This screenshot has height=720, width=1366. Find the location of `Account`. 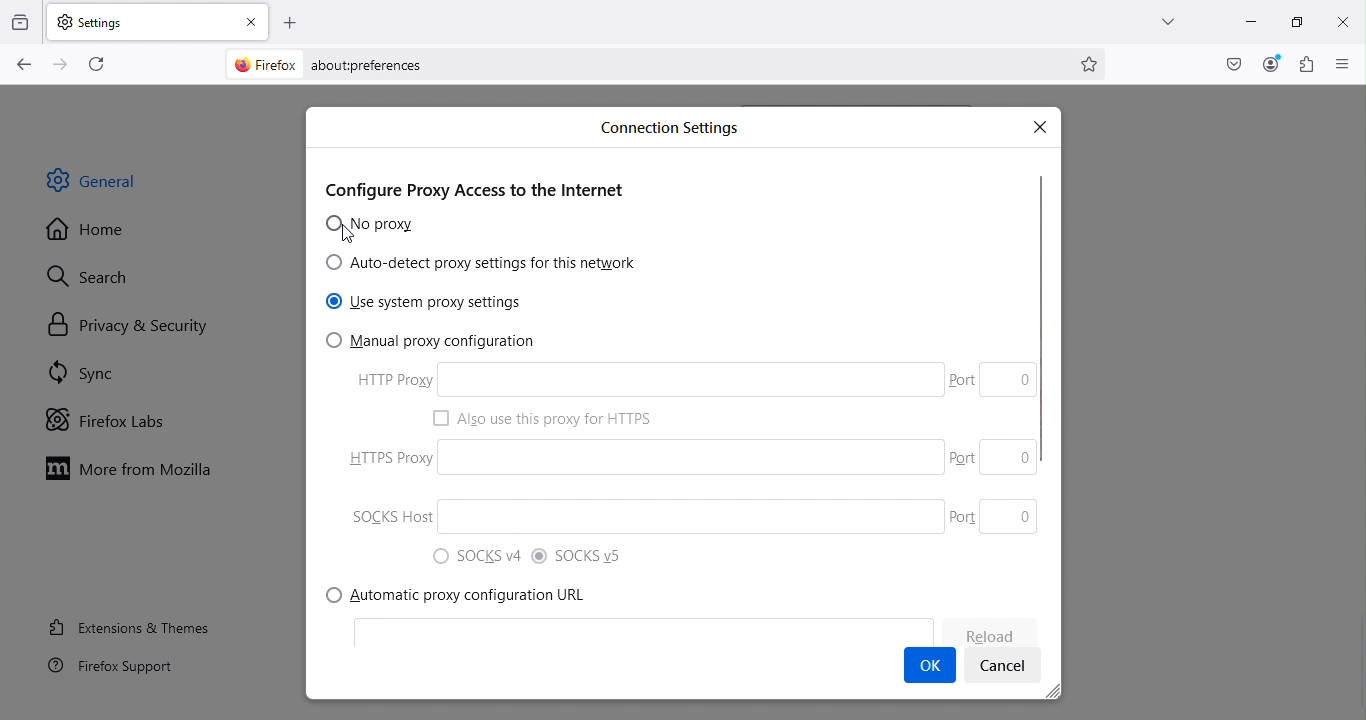

Account is located at coordinates (1272, 63).